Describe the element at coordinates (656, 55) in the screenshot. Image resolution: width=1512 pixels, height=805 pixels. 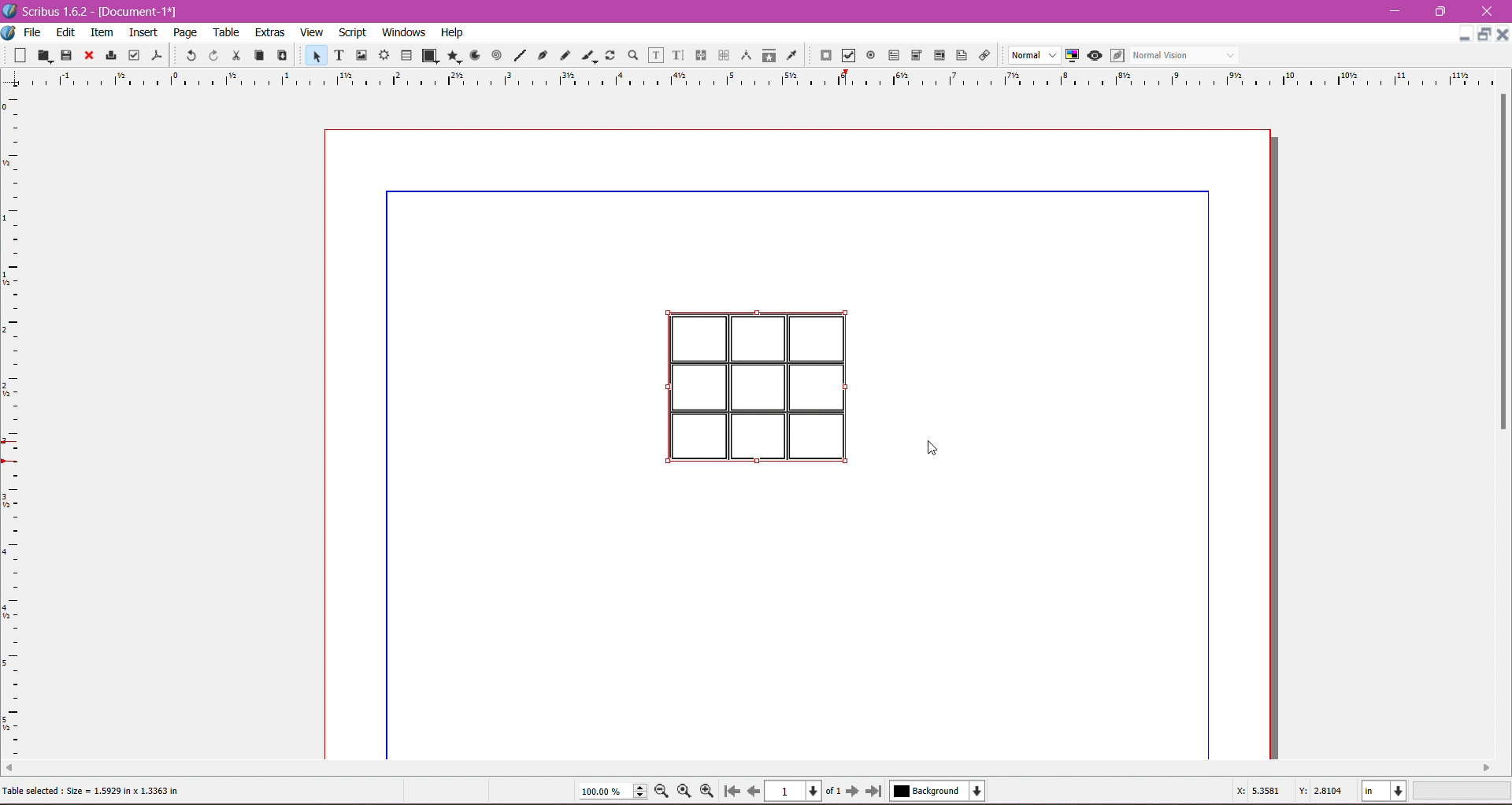
I see `Edit Text in Frames` at that location.